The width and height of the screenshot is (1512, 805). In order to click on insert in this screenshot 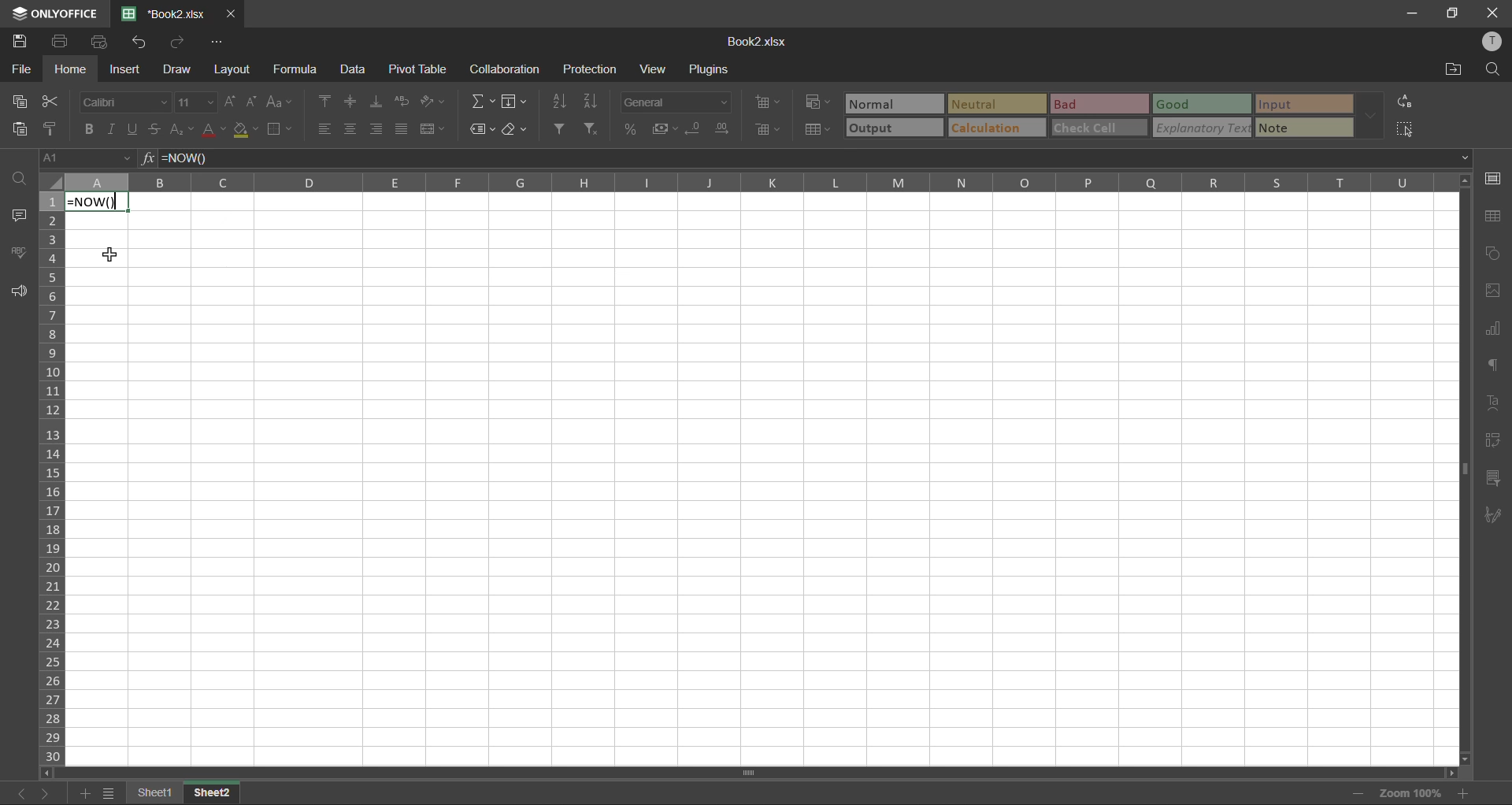, I will do `click(123, 69)`.